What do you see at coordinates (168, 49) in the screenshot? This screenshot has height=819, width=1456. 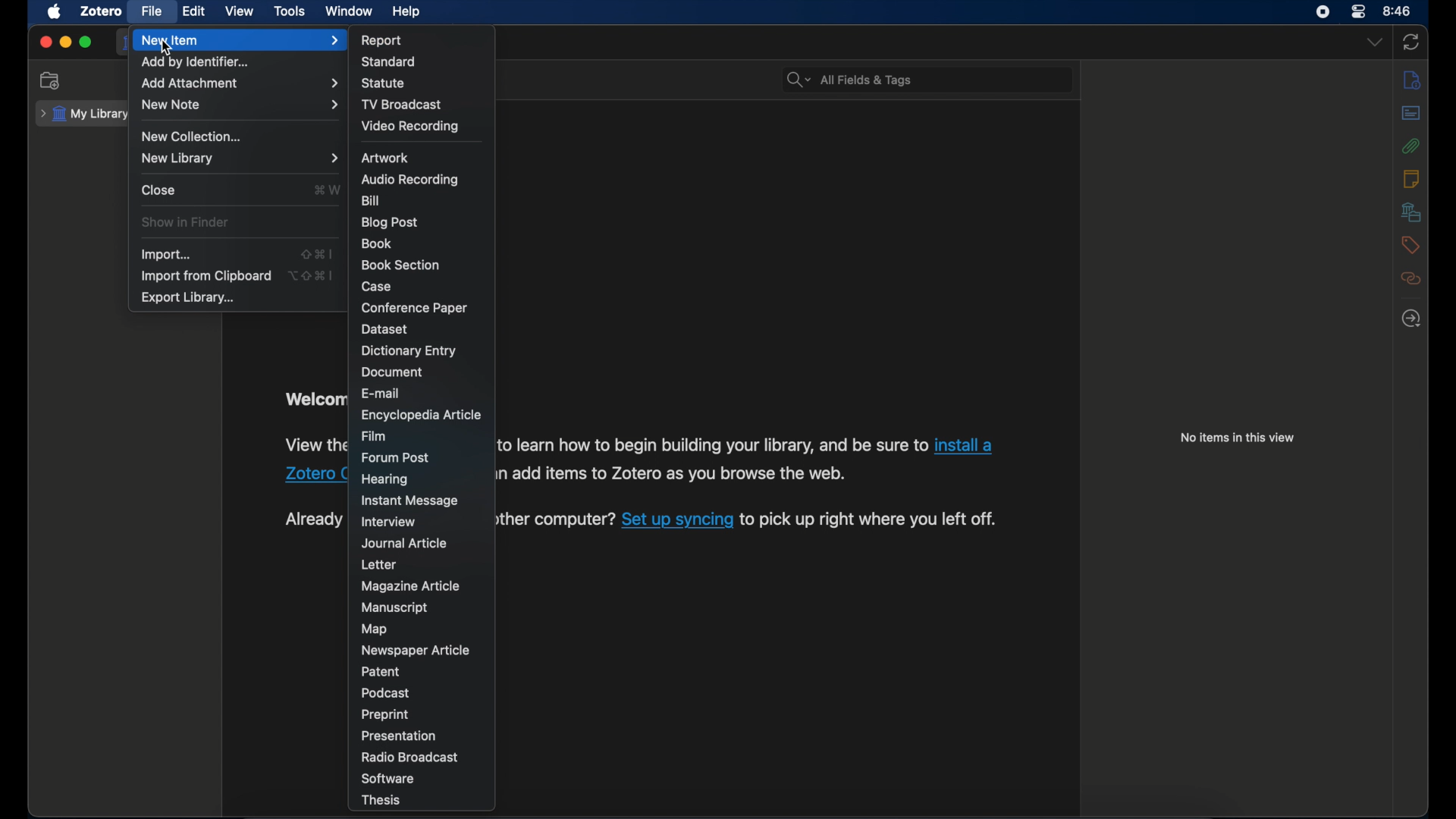 I see `cursor on New item` at bounding box center [168, 49].